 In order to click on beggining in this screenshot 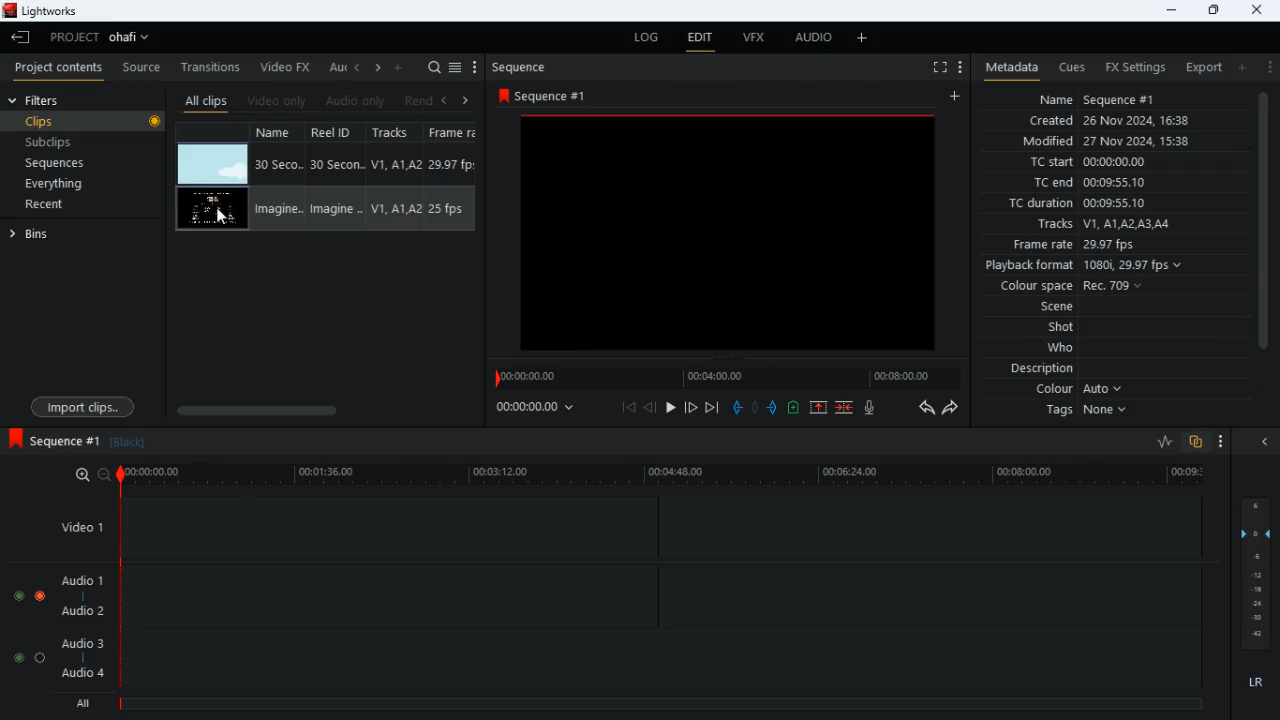, I will do `click(628, 408)`.